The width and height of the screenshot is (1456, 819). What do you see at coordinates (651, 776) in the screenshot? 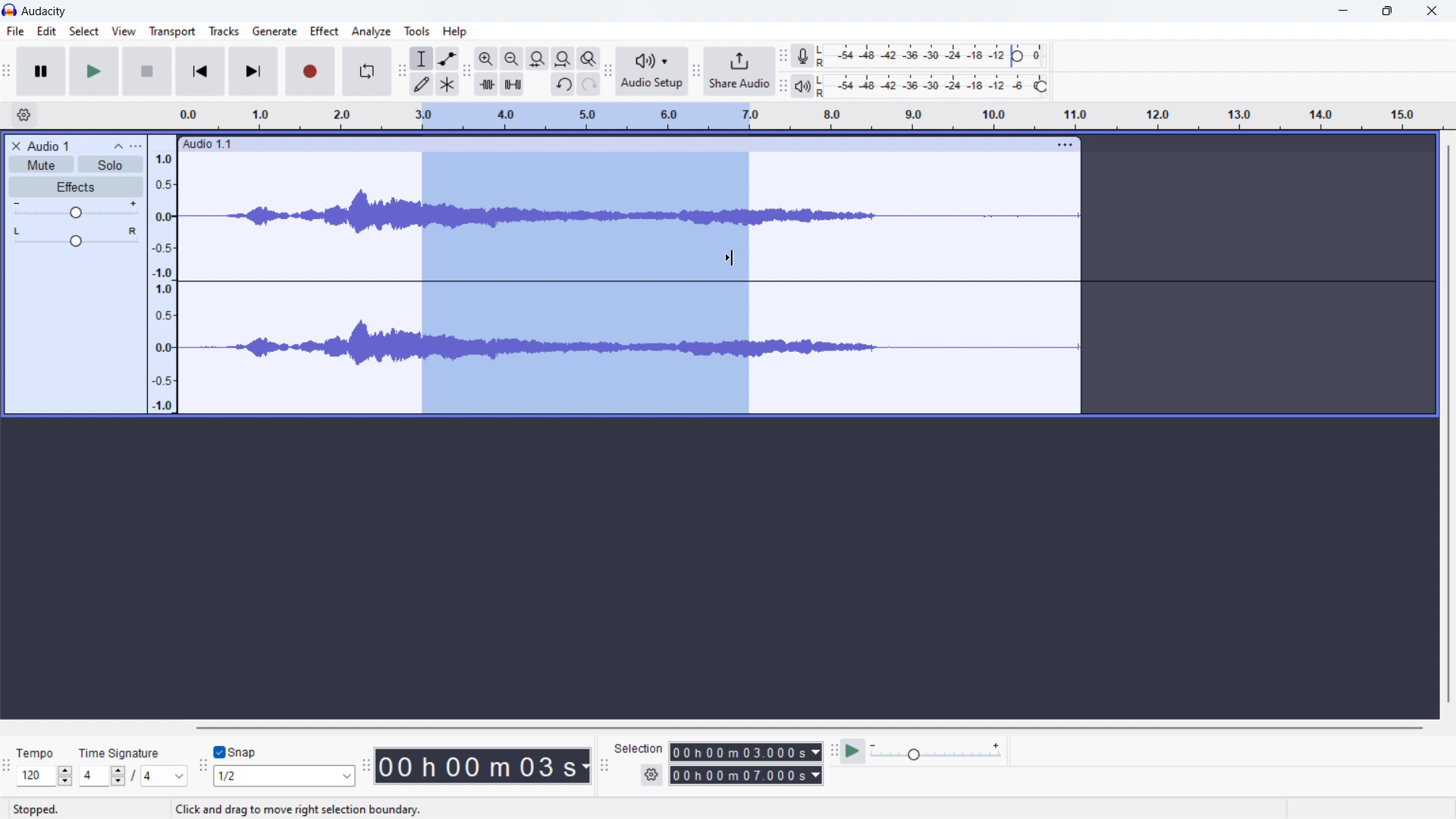
I see `settings` at bounding box center [651, 776].